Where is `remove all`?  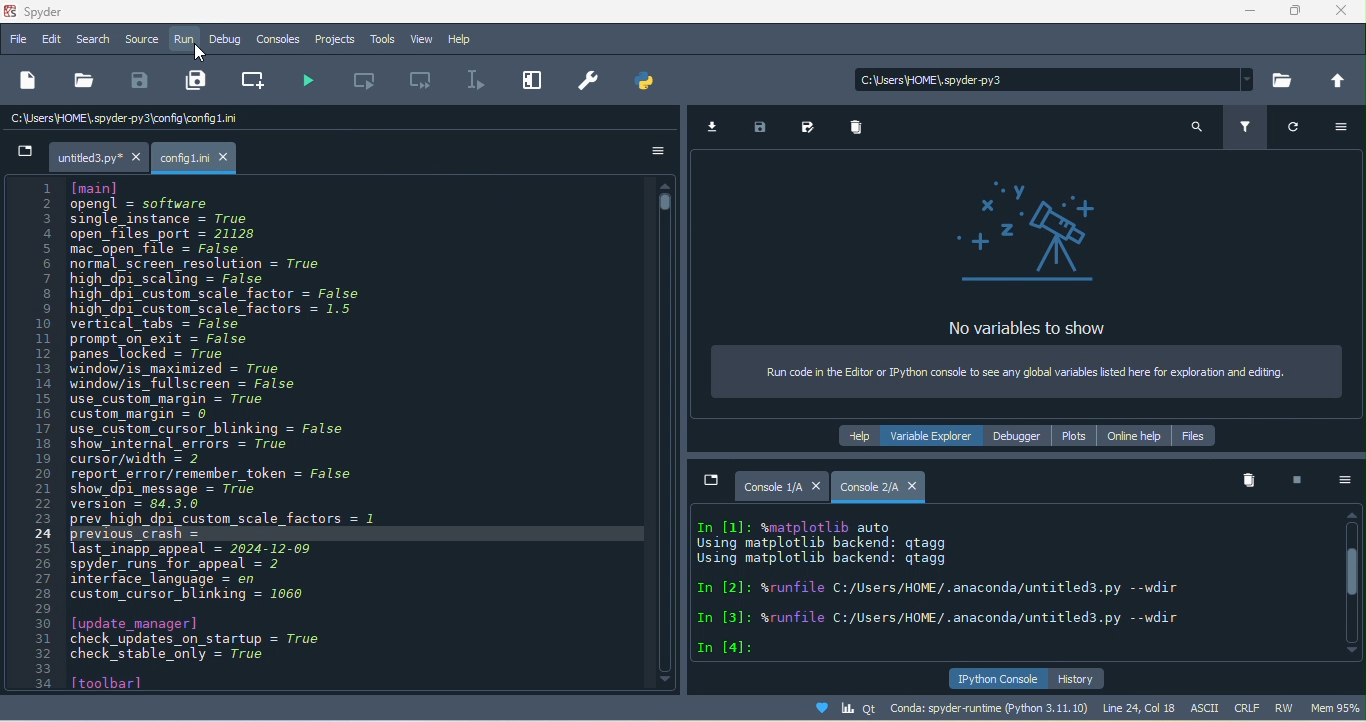
remove all is located at coordinates (855, 130).